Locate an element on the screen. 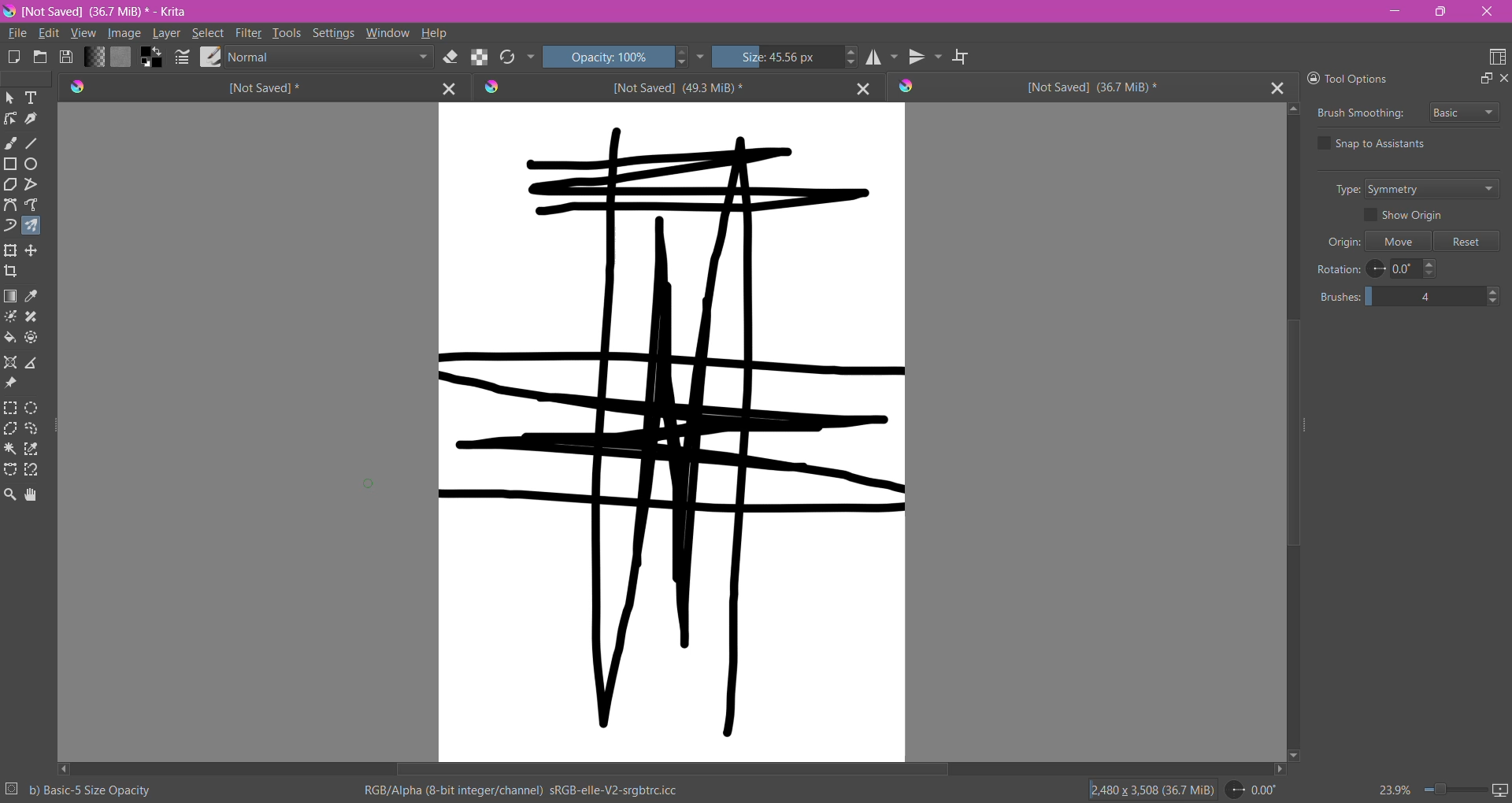 This screenshot has height=803, width=1512. Set Eraser Mode is located at coordinates (449, 58).